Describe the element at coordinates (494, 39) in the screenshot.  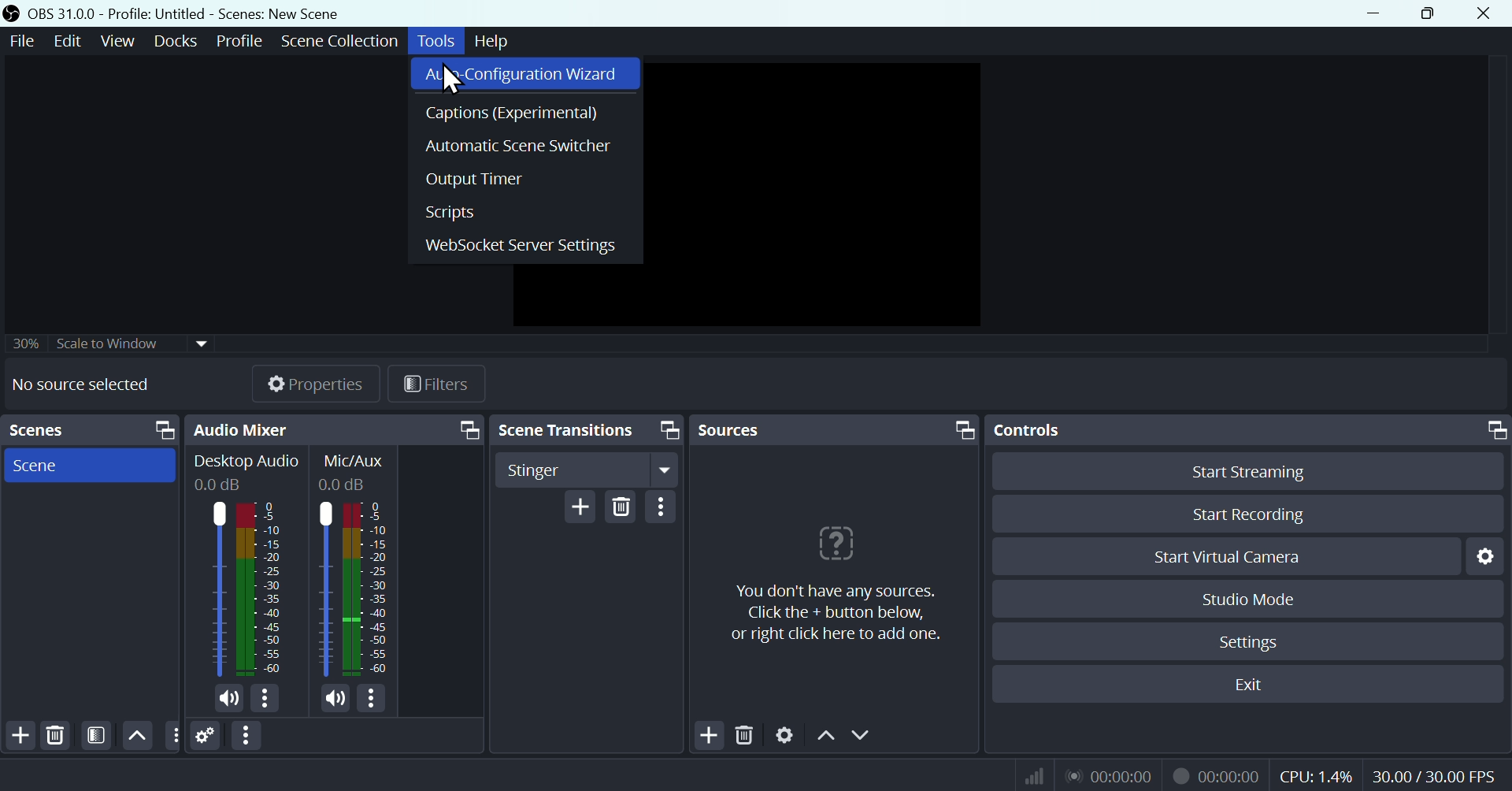
I see `help` at that location.